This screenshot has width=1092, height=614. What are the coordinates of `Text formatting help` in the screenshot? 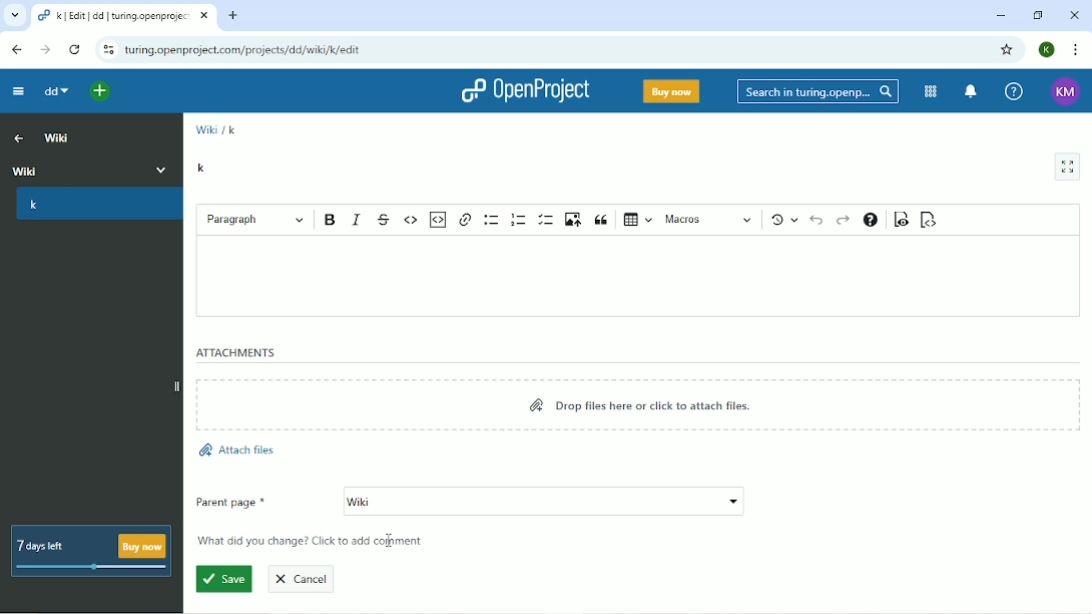 It's located at (870, 219).